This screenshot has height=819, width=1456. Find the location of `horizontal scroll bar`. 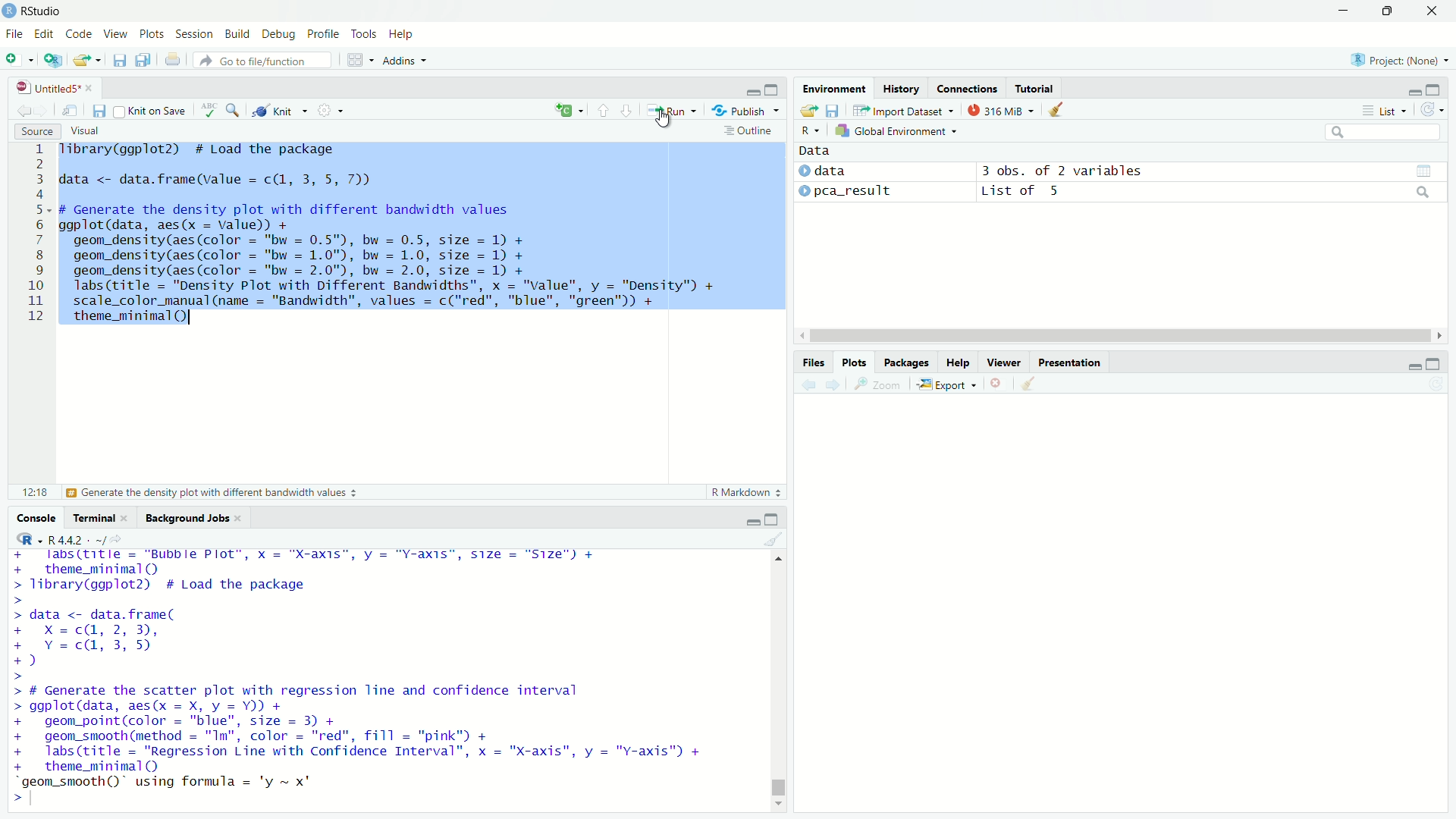

horizontal scroll bar is located at coordinates (1121, 336).